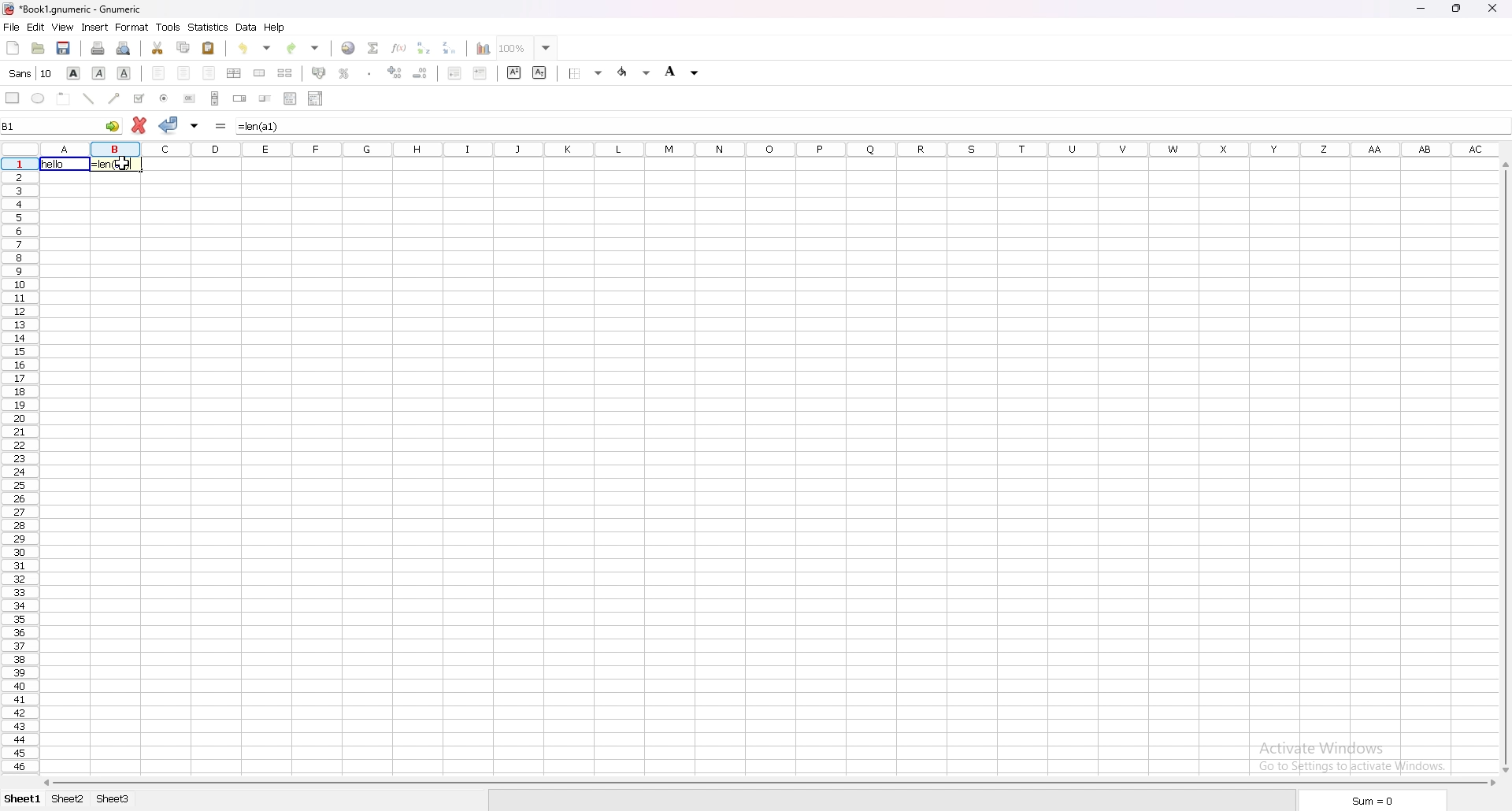  I want to click on decrease decimal number, so click(421, 72).